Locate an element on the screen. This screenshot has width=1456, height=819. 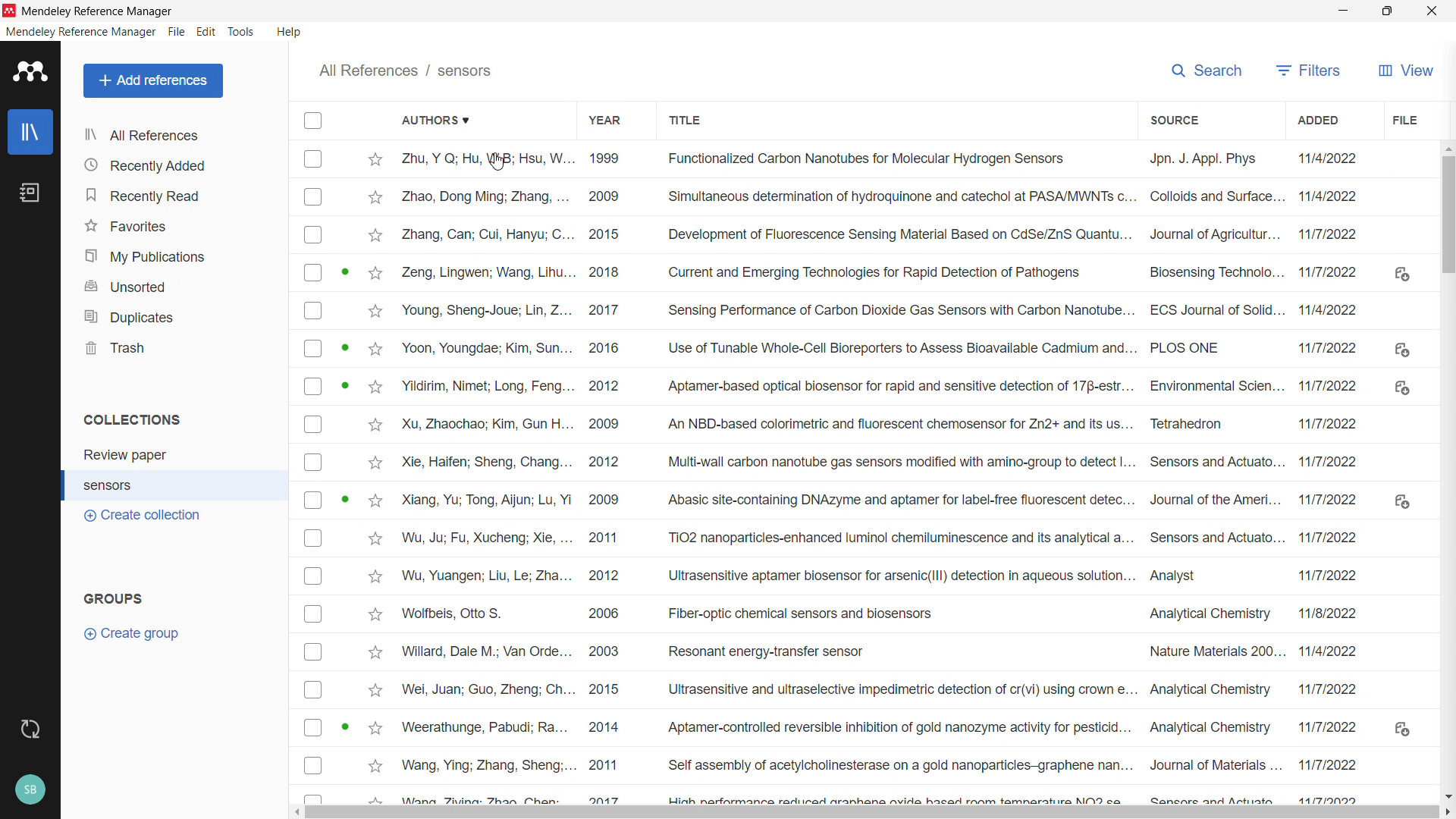
 help  is located at coordinates (289, 32).